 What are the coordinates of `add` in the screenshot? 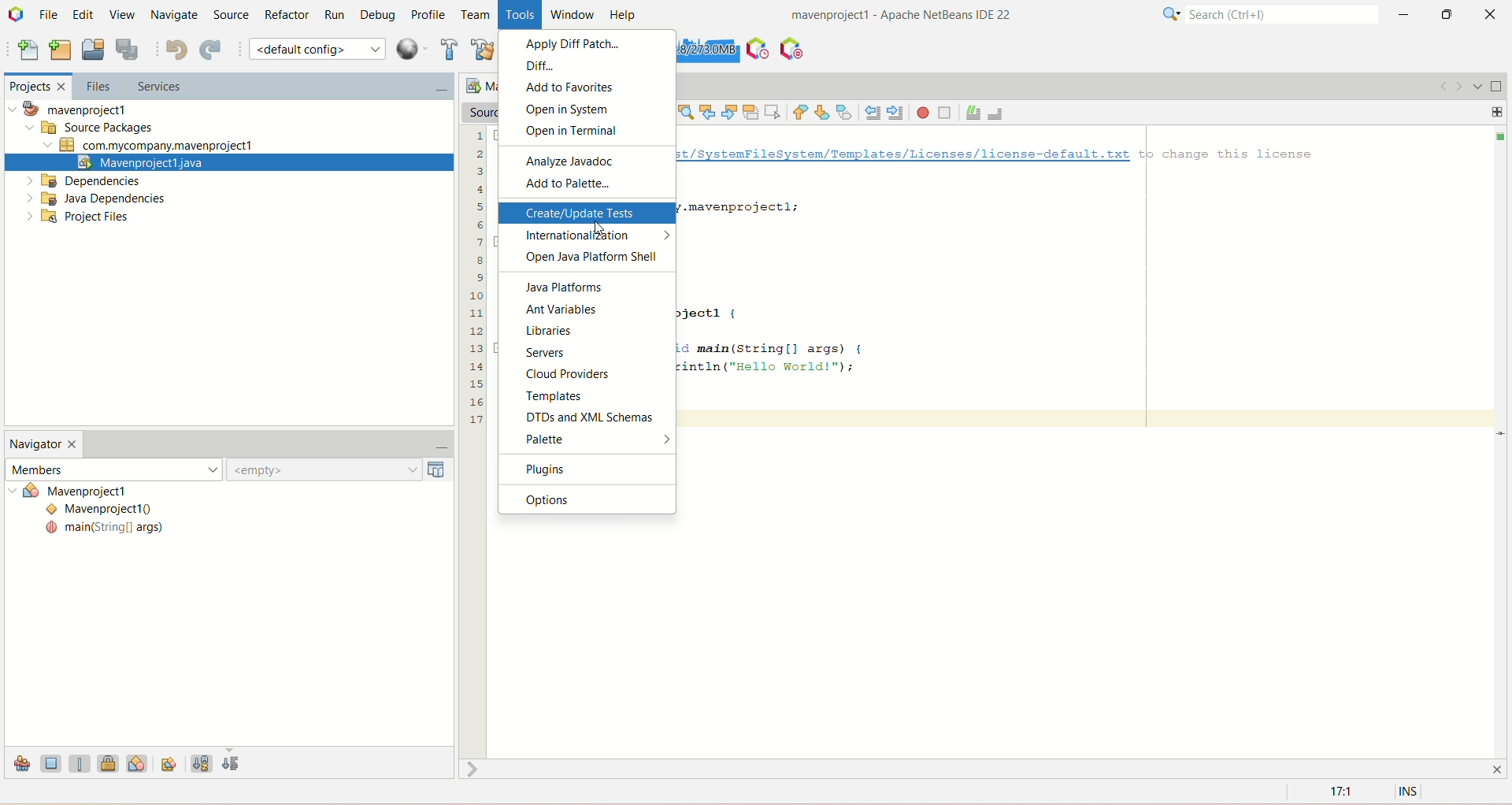 It's located at (1498, 110).